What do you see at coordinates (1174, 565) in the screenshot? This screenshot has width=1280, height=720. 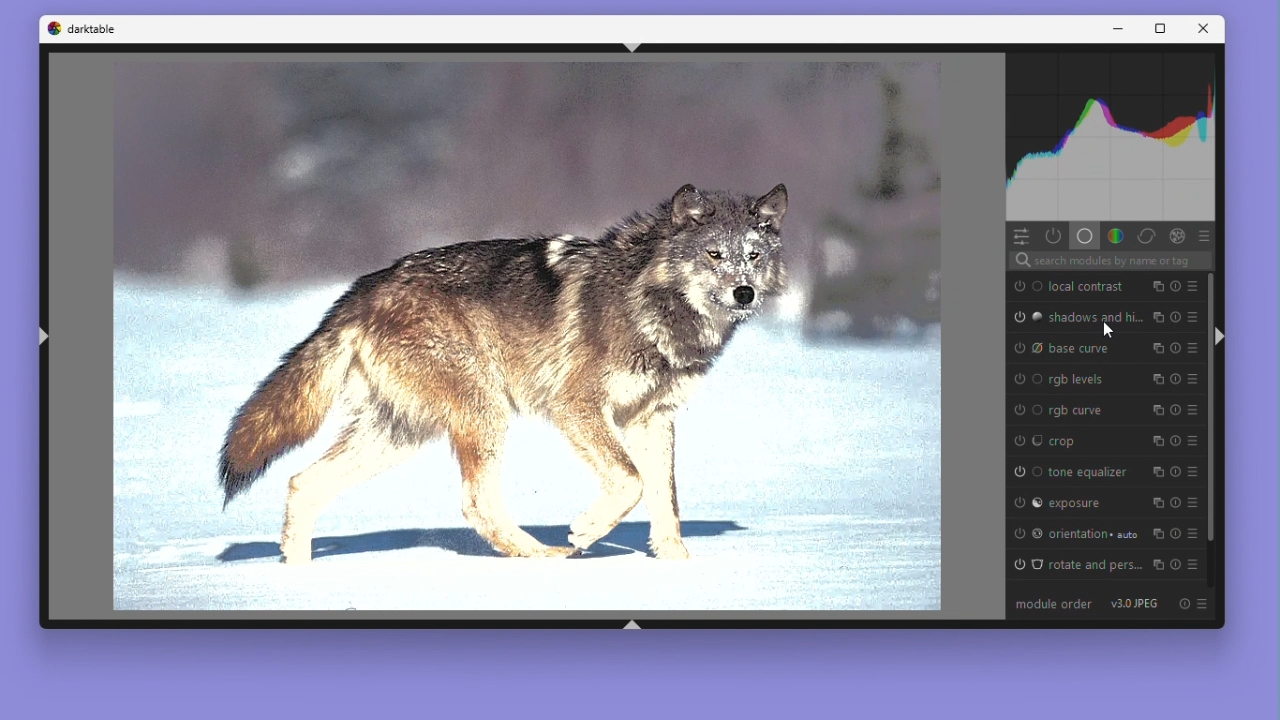 I see `reset parameters` at bounding box center [1174, 565].